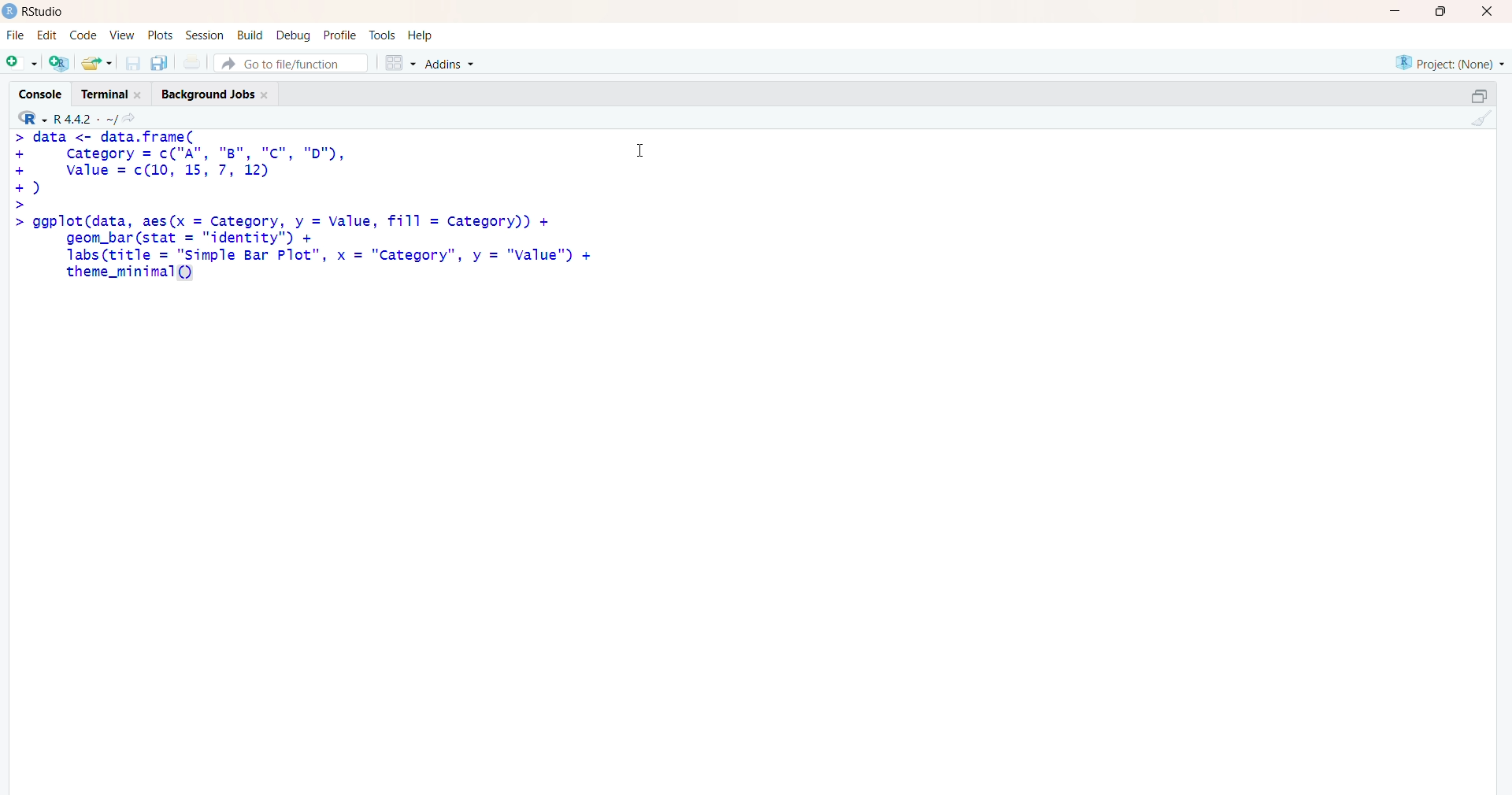 The image size is (1512, 795). I want to click on Close, so click(1484, 11).